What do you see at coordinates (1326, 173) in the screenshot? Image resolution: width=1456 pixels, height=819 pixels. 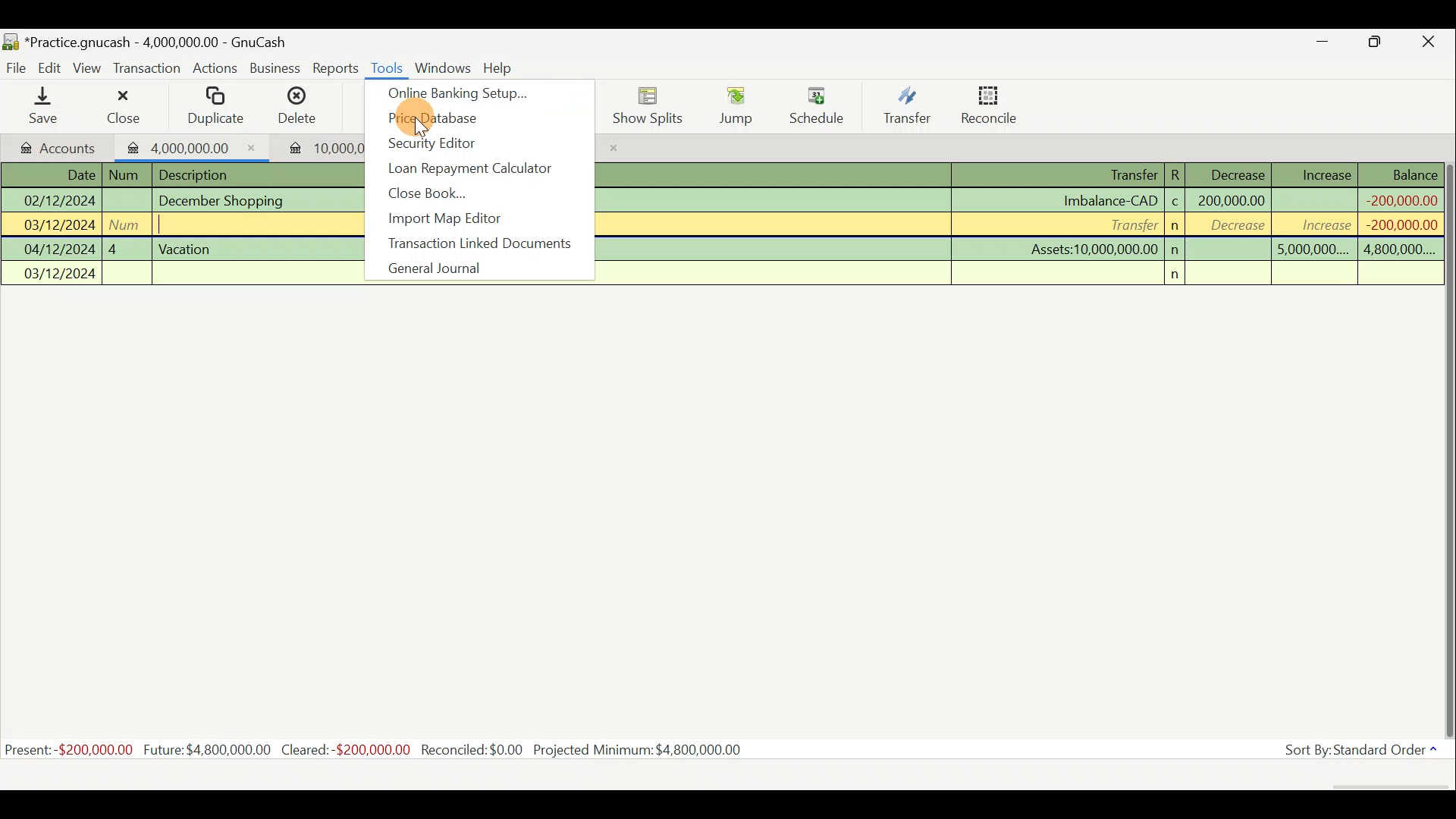 I see `Increase` at bounding box center [1326, 173].